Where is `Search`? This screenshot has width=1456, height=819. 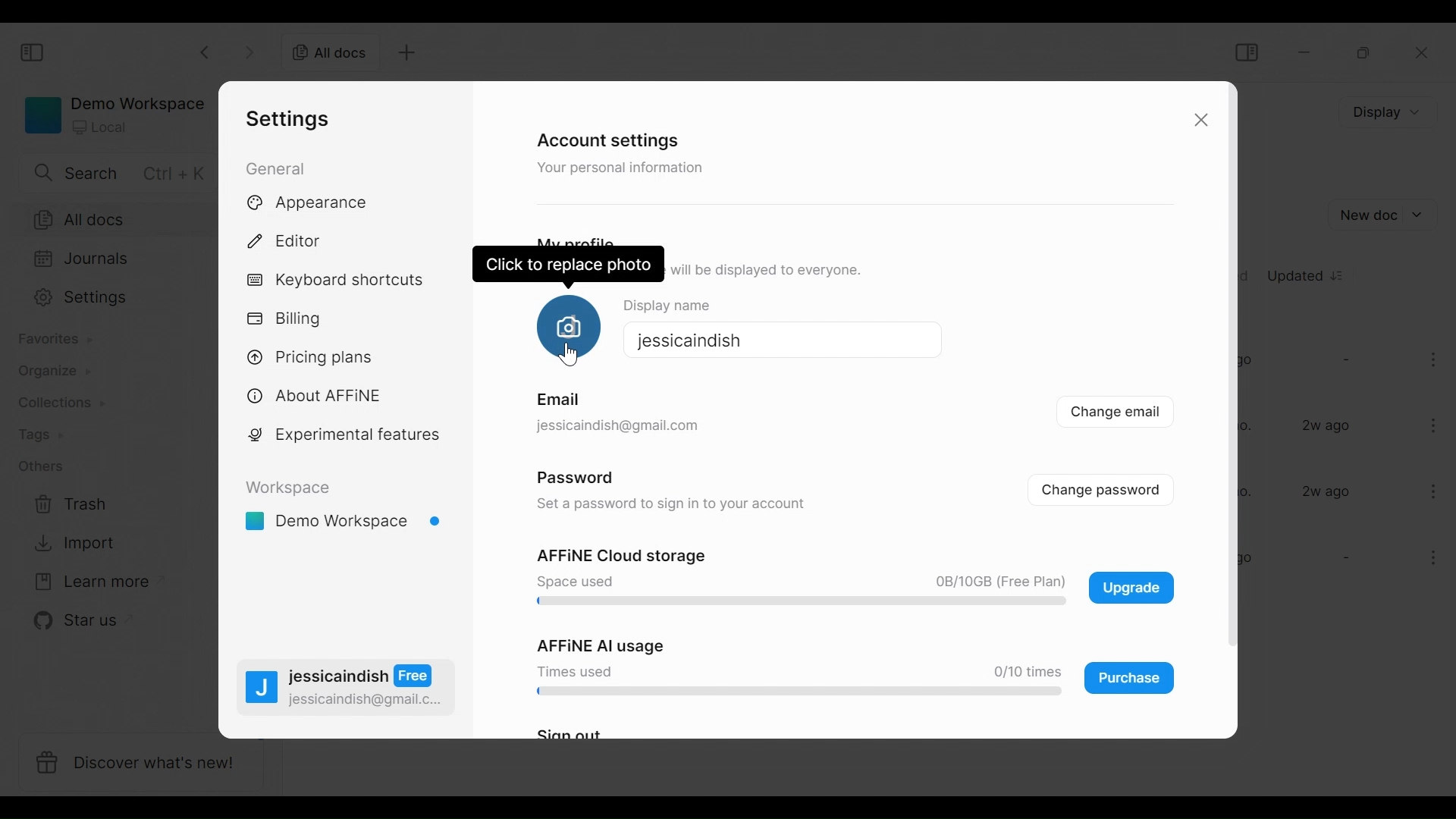
Search is located at coordinates (111, 173).